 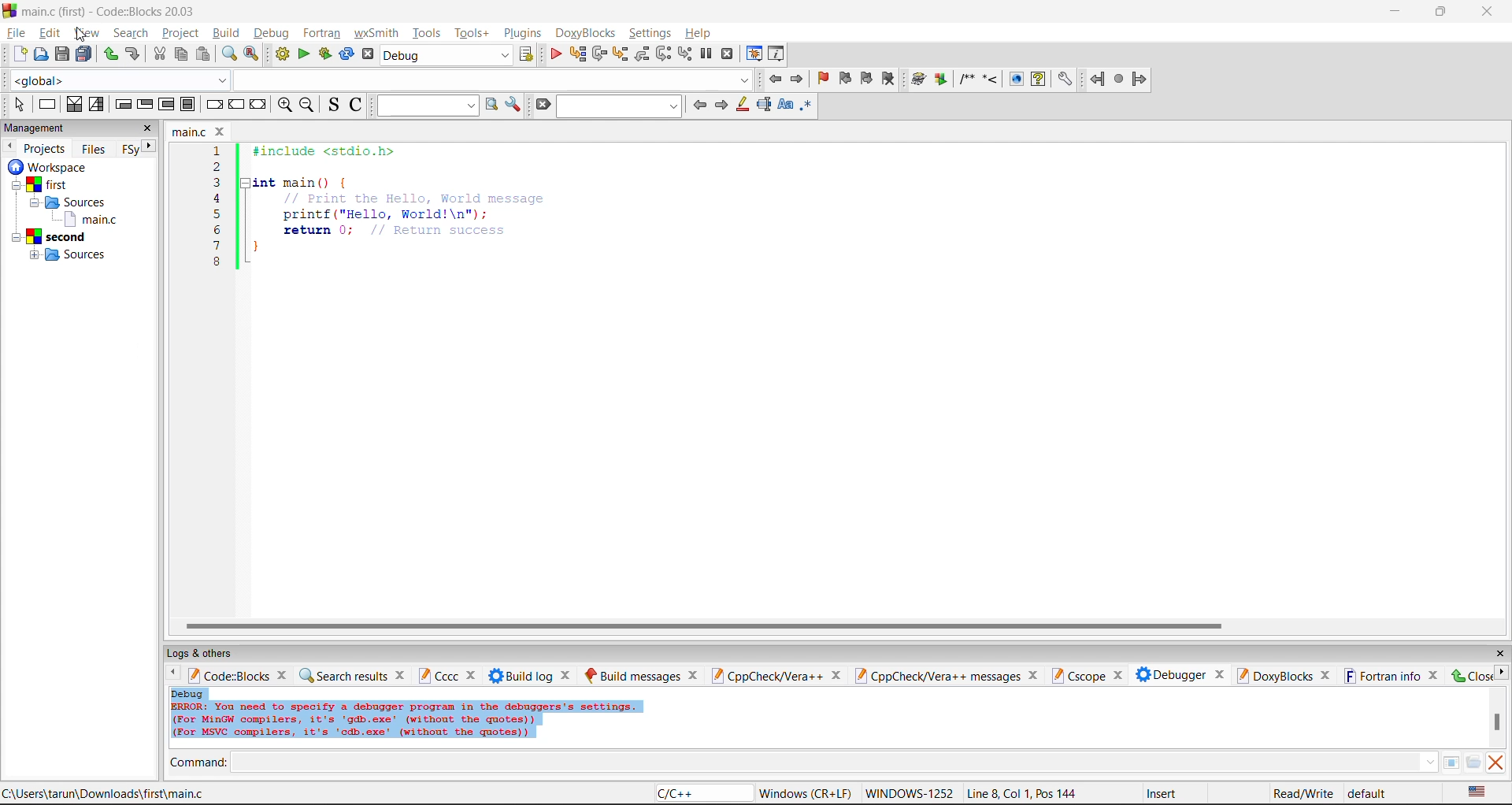 What do you see at coordinates (49, 105) in the screenshot?
I see `instruction` at bounding box center [49, 105].